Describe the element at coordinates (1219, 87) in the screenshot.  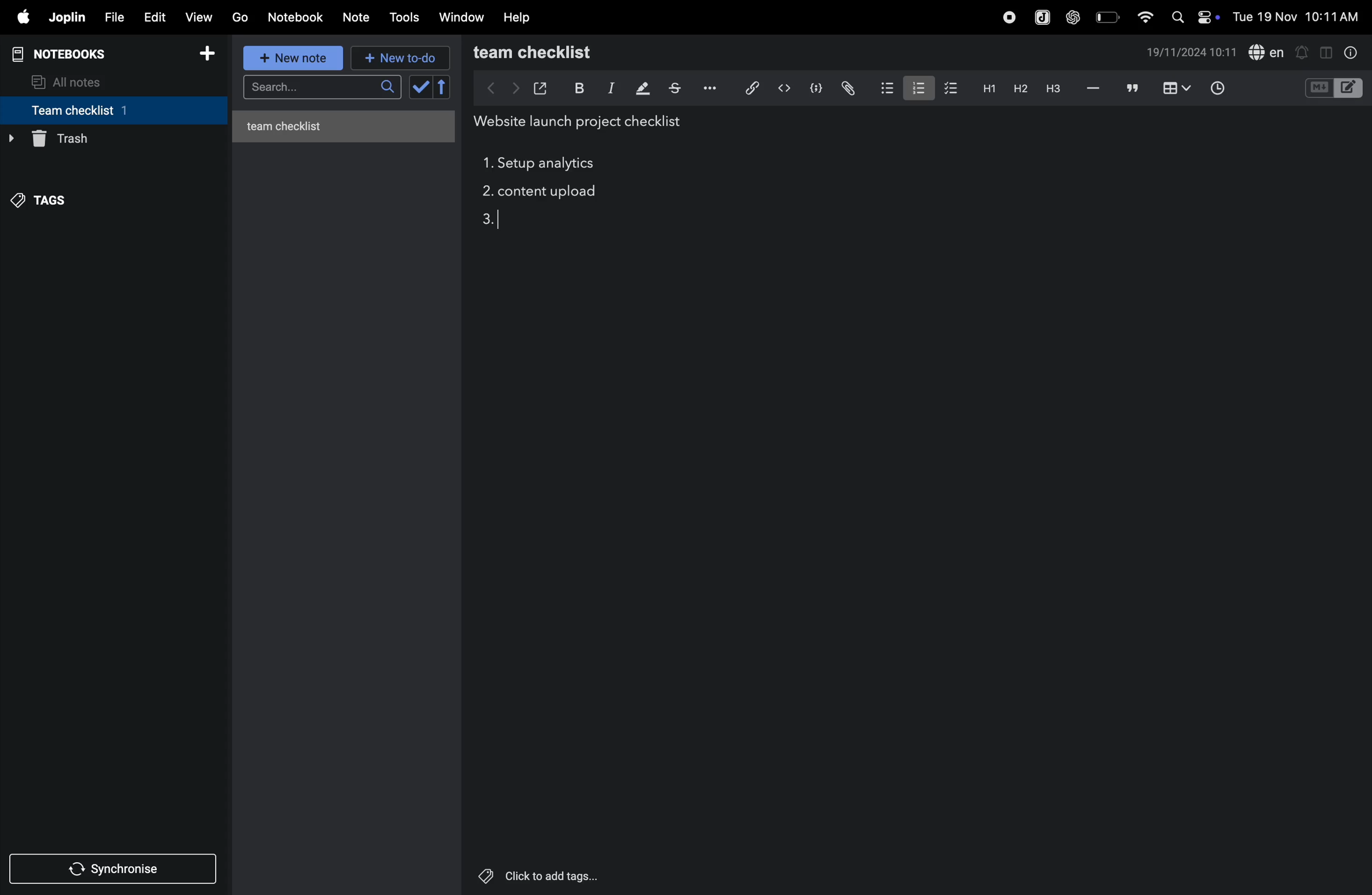
I see `time` at that location.